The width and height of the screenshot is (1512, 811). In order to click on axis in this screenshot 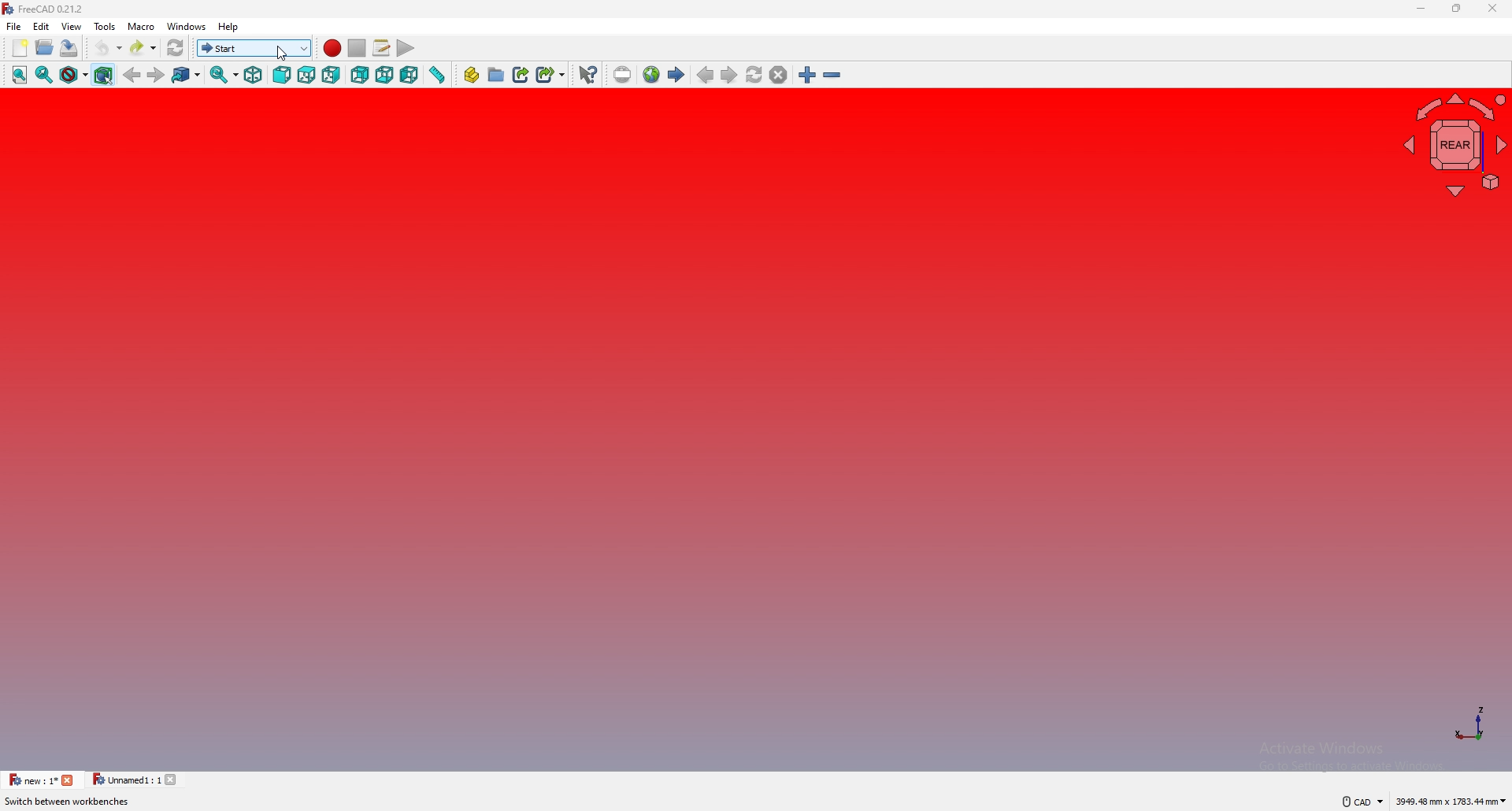, I will do `click(1473, 722)`.